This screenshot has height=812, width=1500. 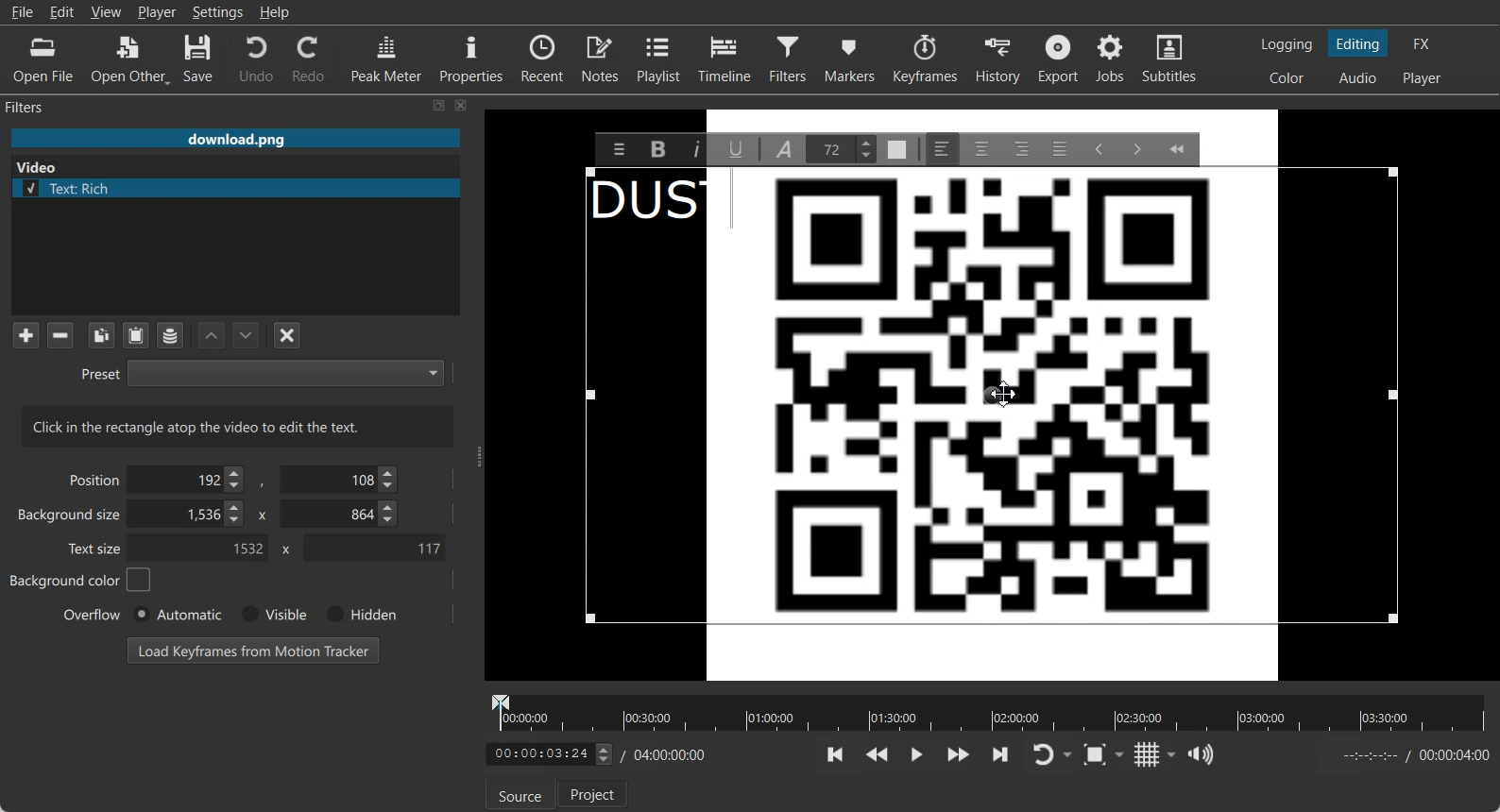 I want to click on Italic, so click(x=695, y=149).